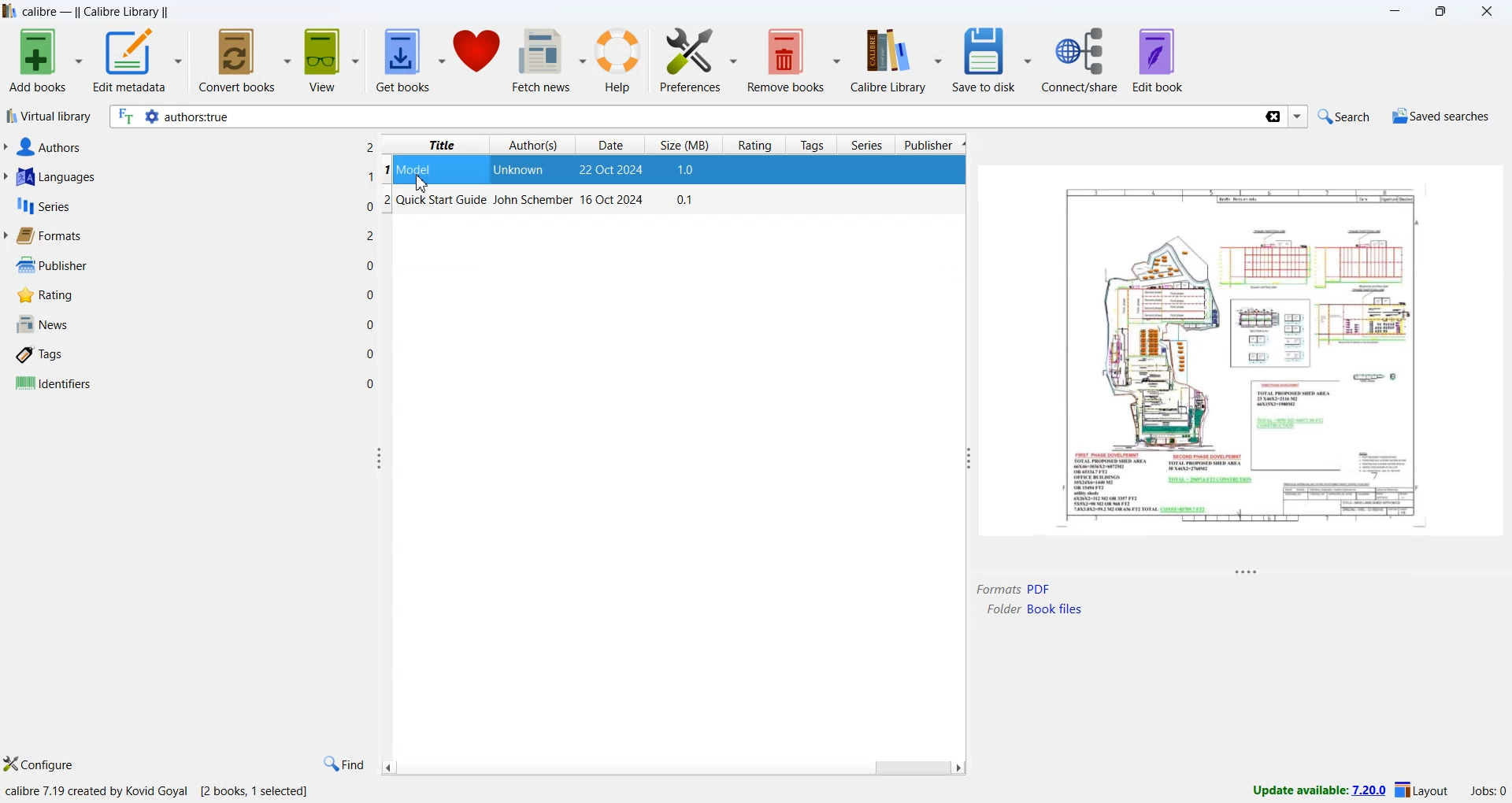  What do you see at coordinates (442, 145) in the screenshot?
I see `title` at bounding box center [442, 145].